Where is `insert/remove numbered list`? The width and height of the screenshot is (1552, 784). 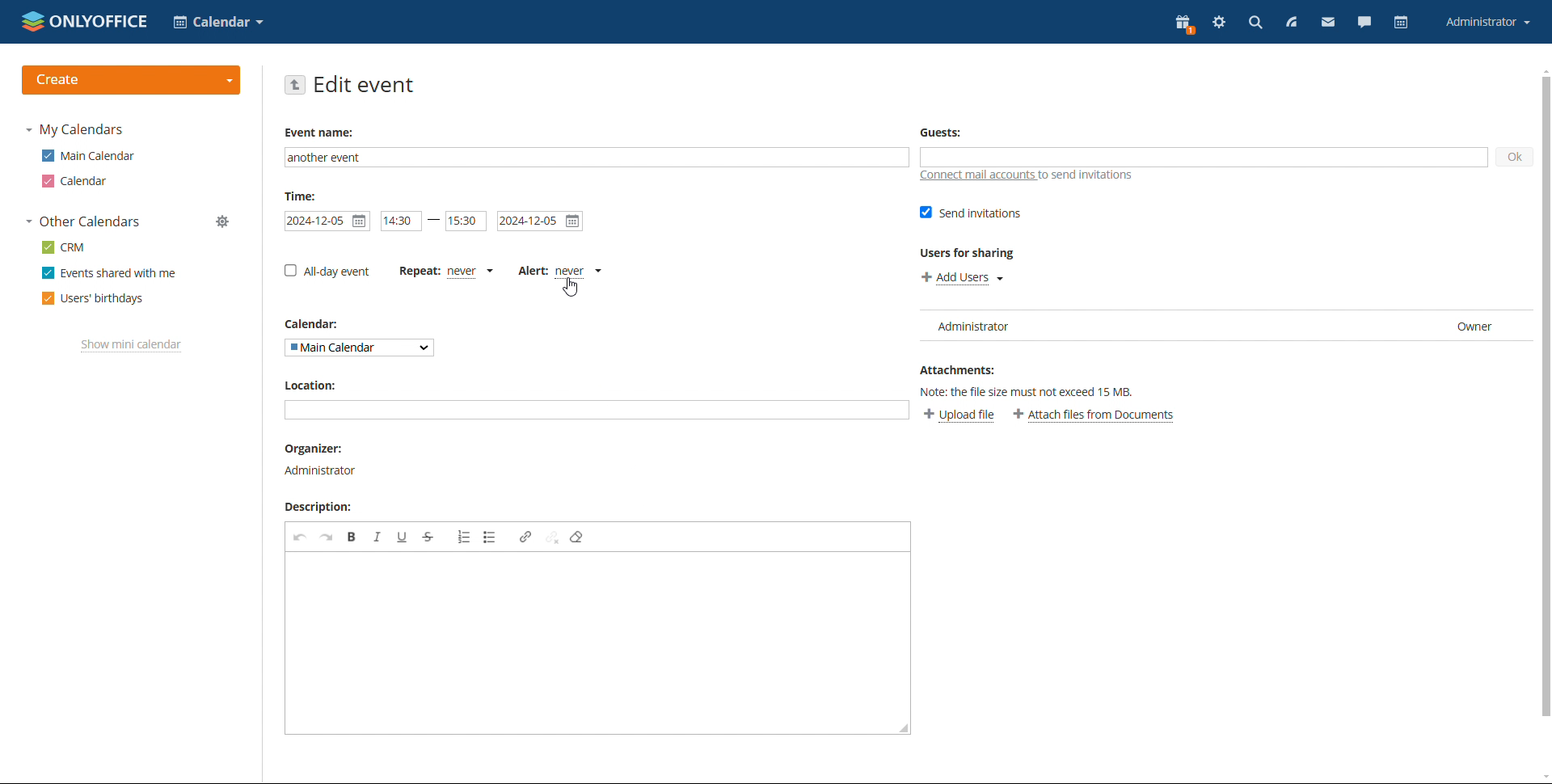
insert/remove numbered list is located at coordinates (463, 537).